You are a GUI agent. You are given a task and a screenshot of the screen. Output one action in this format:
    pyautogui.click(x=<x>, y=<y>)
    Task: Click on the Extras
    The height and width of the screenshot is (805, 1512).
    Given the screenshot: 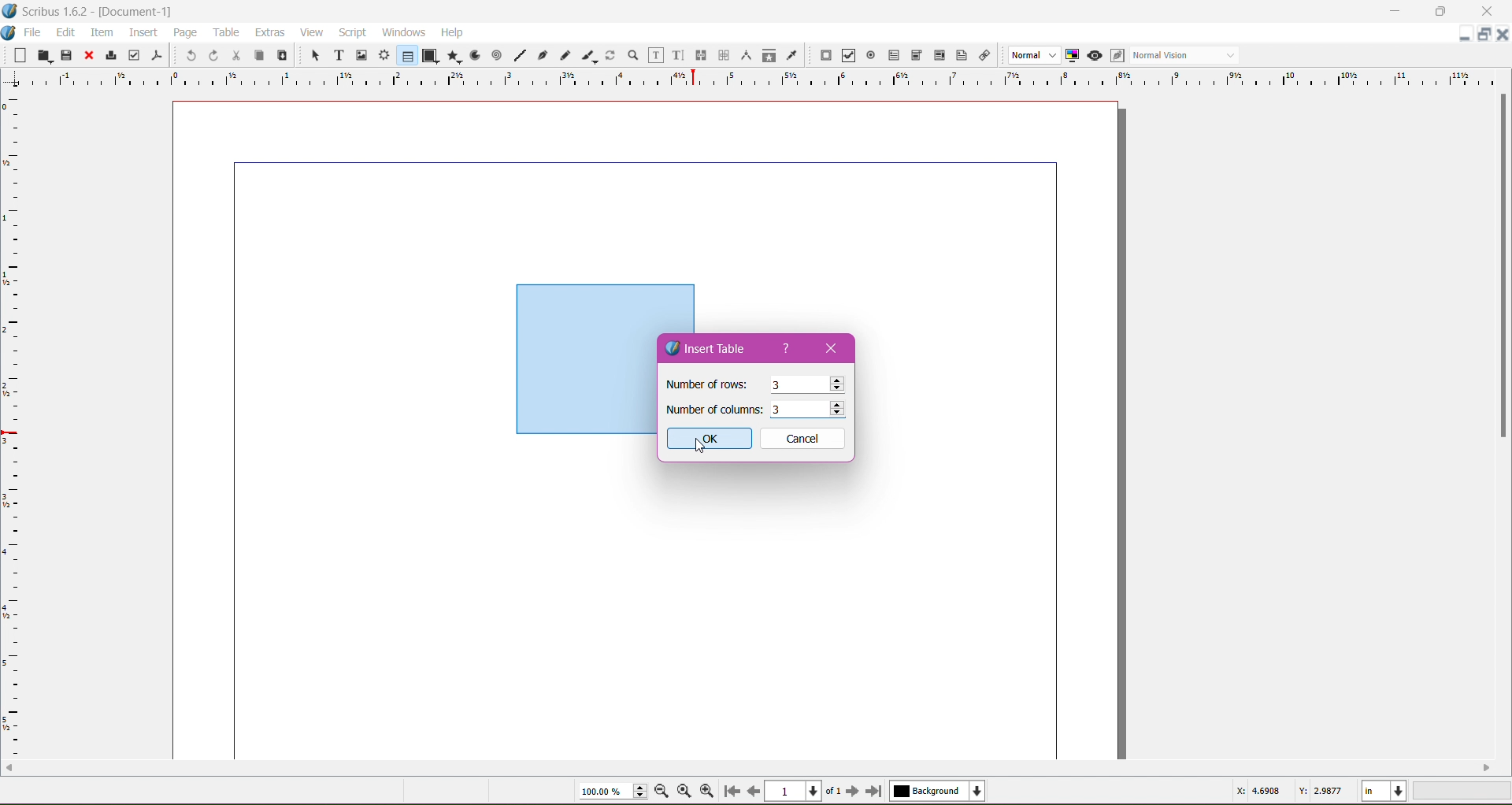 What is the action you would take?
    pyautogui.click(x=270, y=32)
    